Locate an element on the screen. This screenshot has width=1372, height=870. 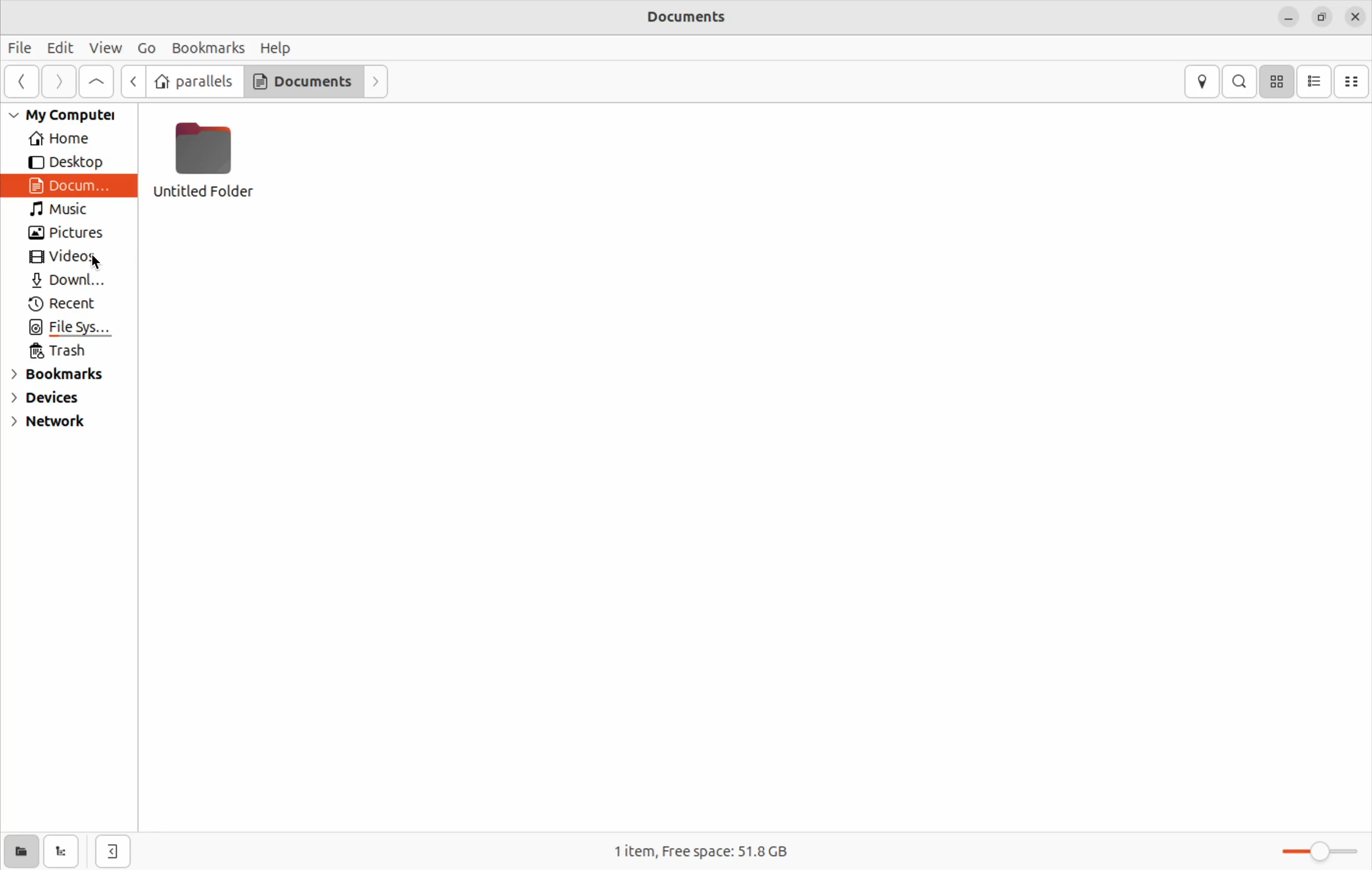
Documents is located at coordinates (303, 81).